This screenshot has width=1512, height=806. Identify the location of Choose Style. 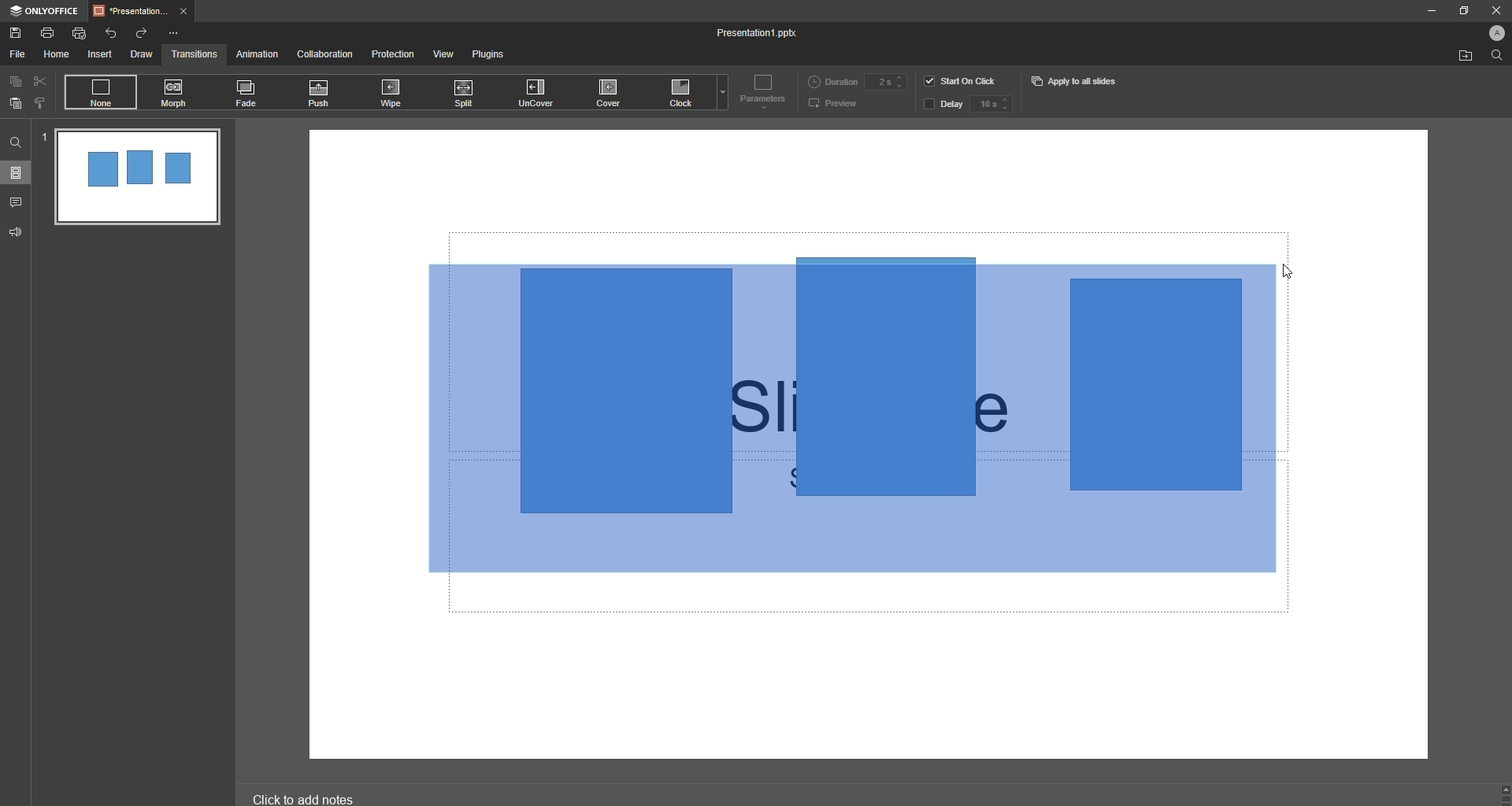
(40, 103).